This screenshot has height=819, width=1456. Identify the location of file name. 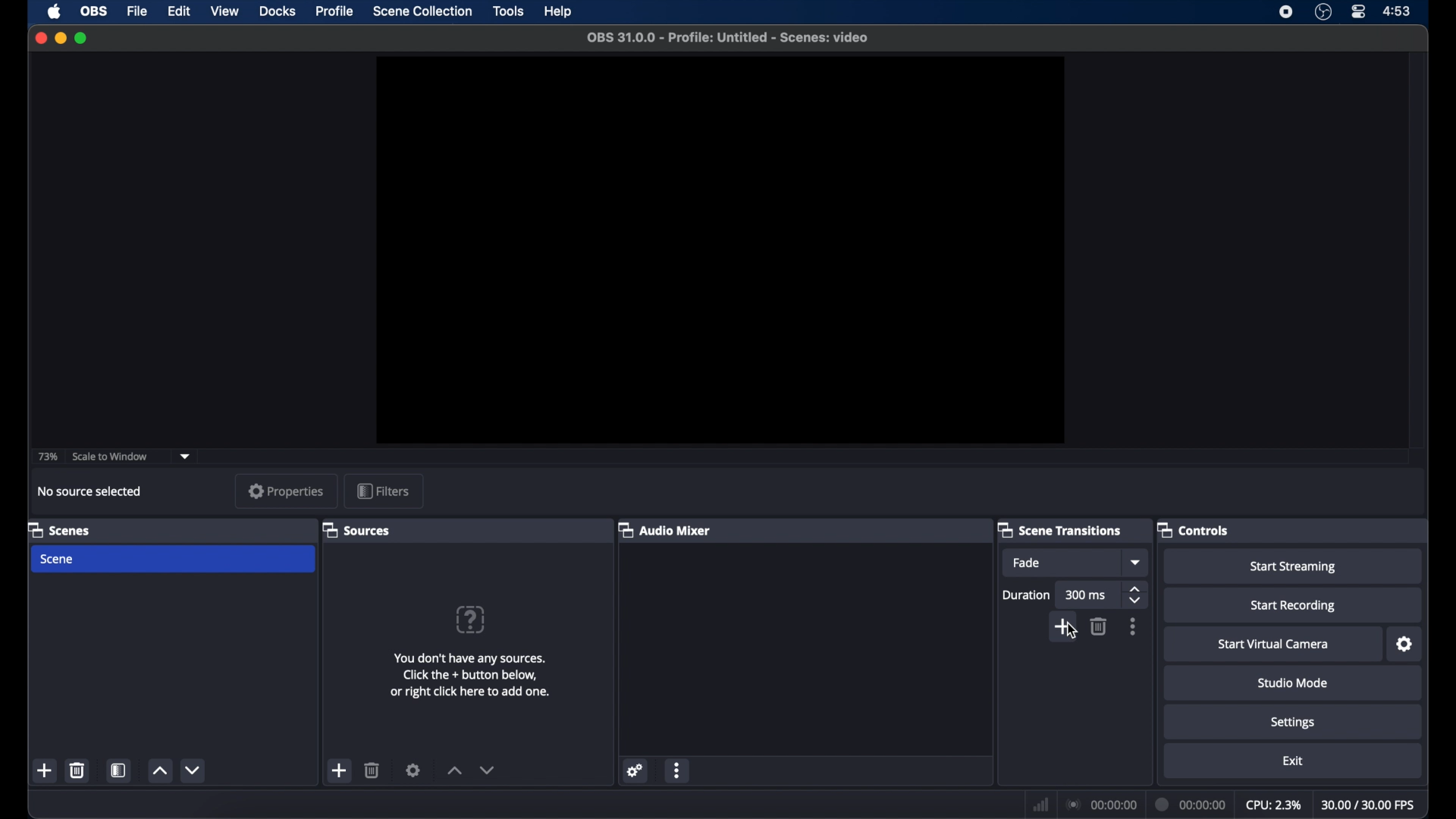
(729, 38).